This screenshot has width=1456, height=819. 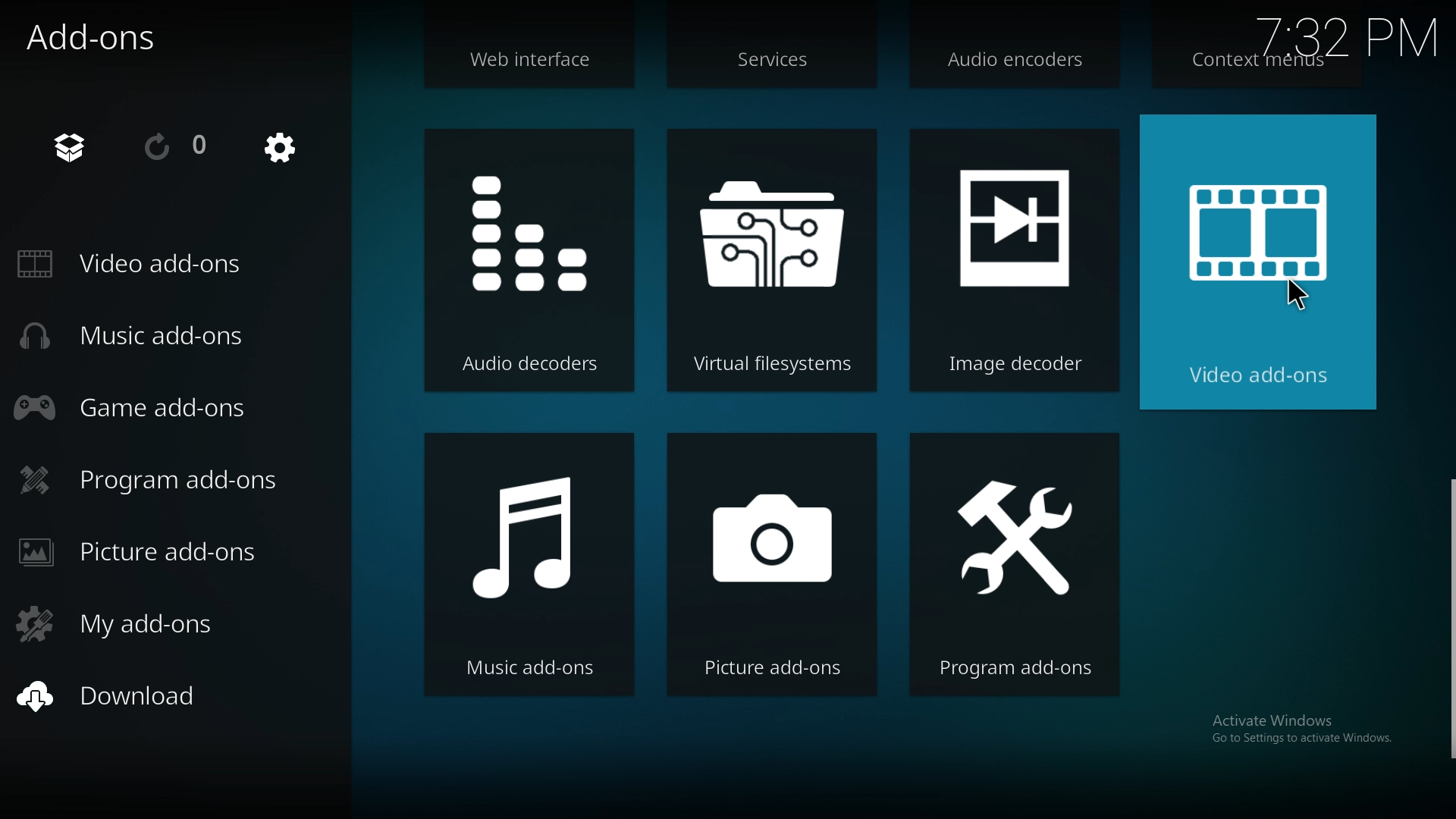 I want to click on scroll bar, so click(x=1449, y=620).